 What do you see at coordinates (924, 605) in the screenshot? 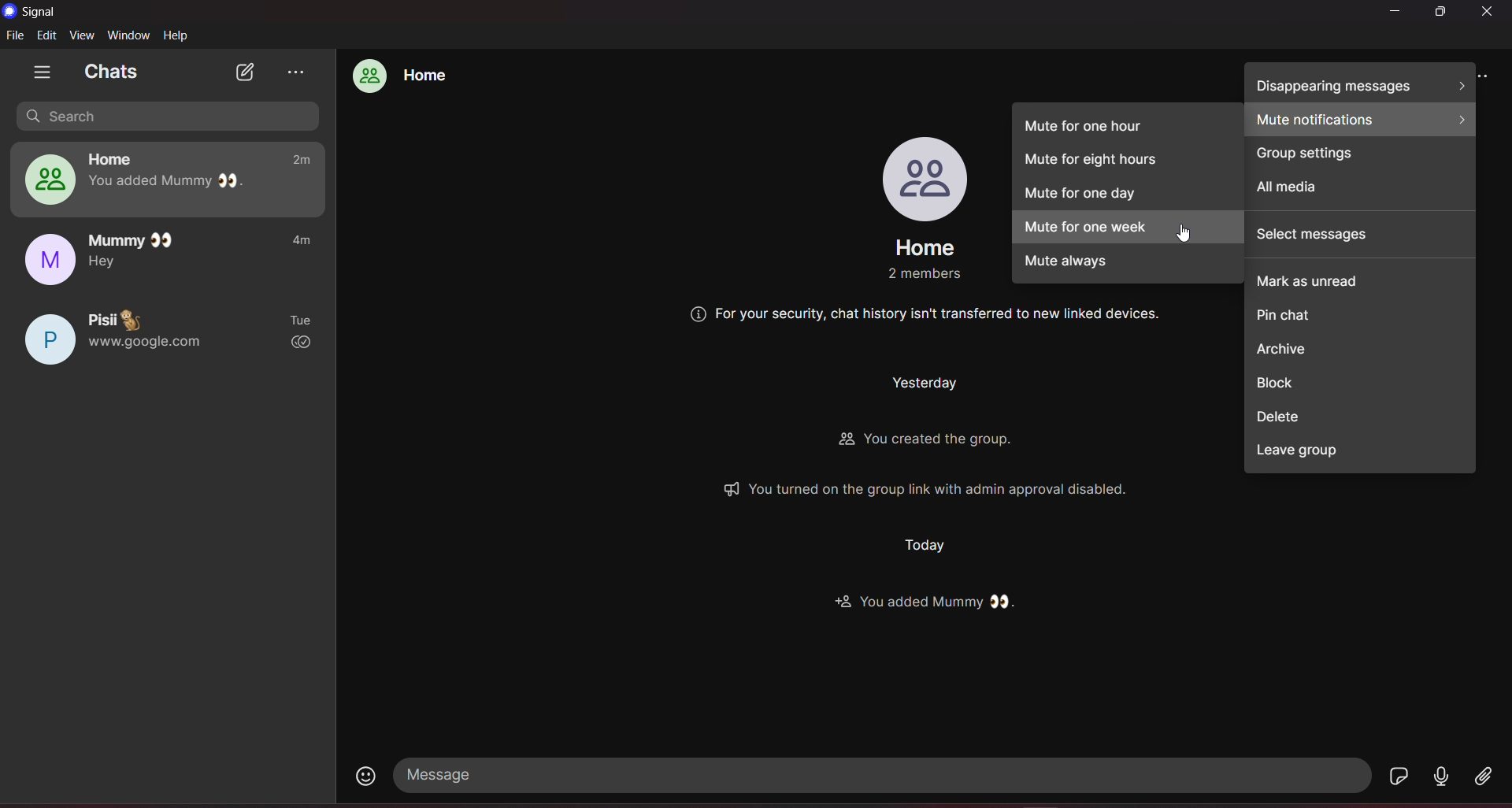
I see `` at bounding box center [924, 605].